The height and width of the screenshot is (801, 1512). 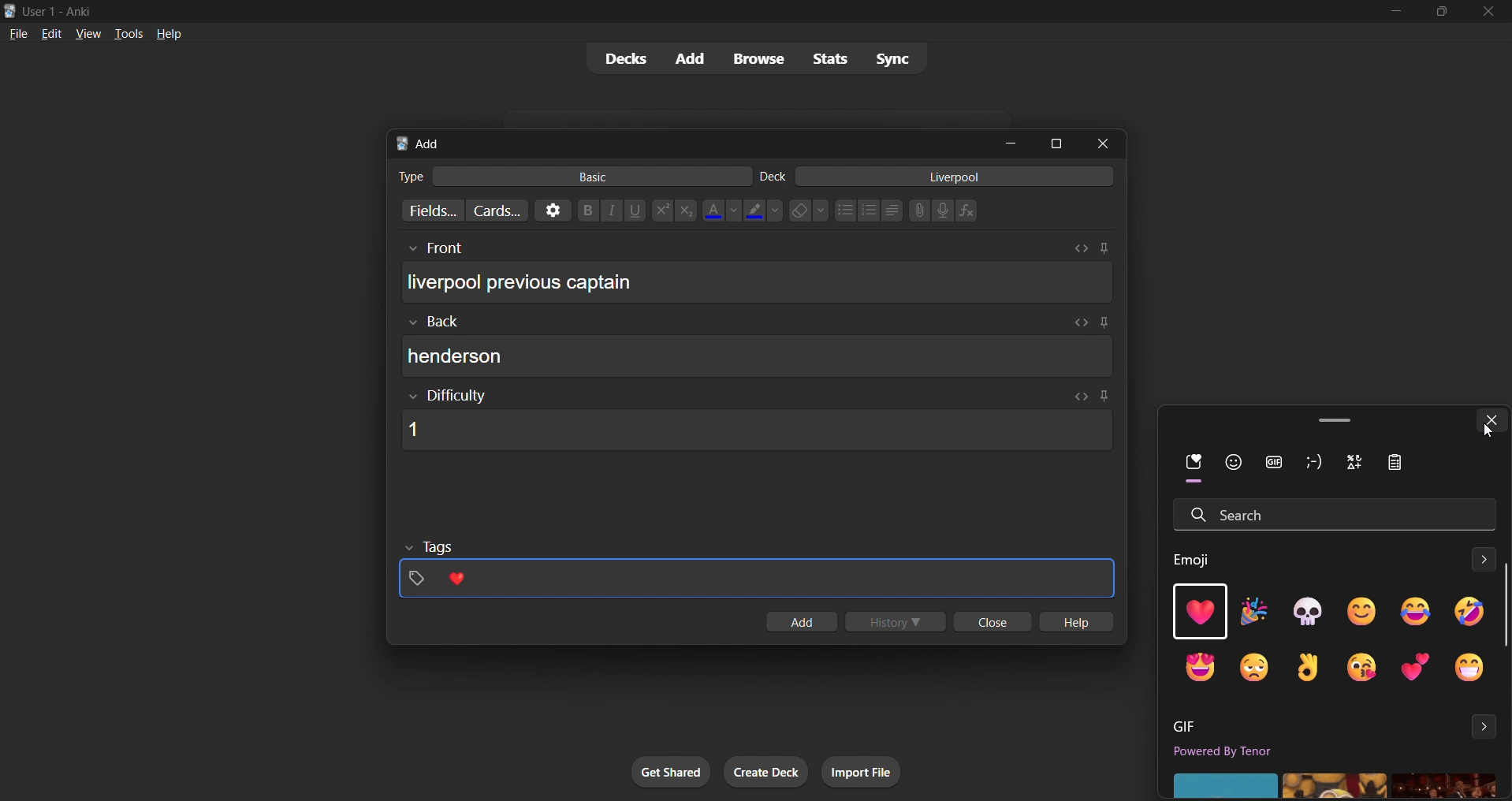 I want to click on microphone, so click(x=944, y=211).